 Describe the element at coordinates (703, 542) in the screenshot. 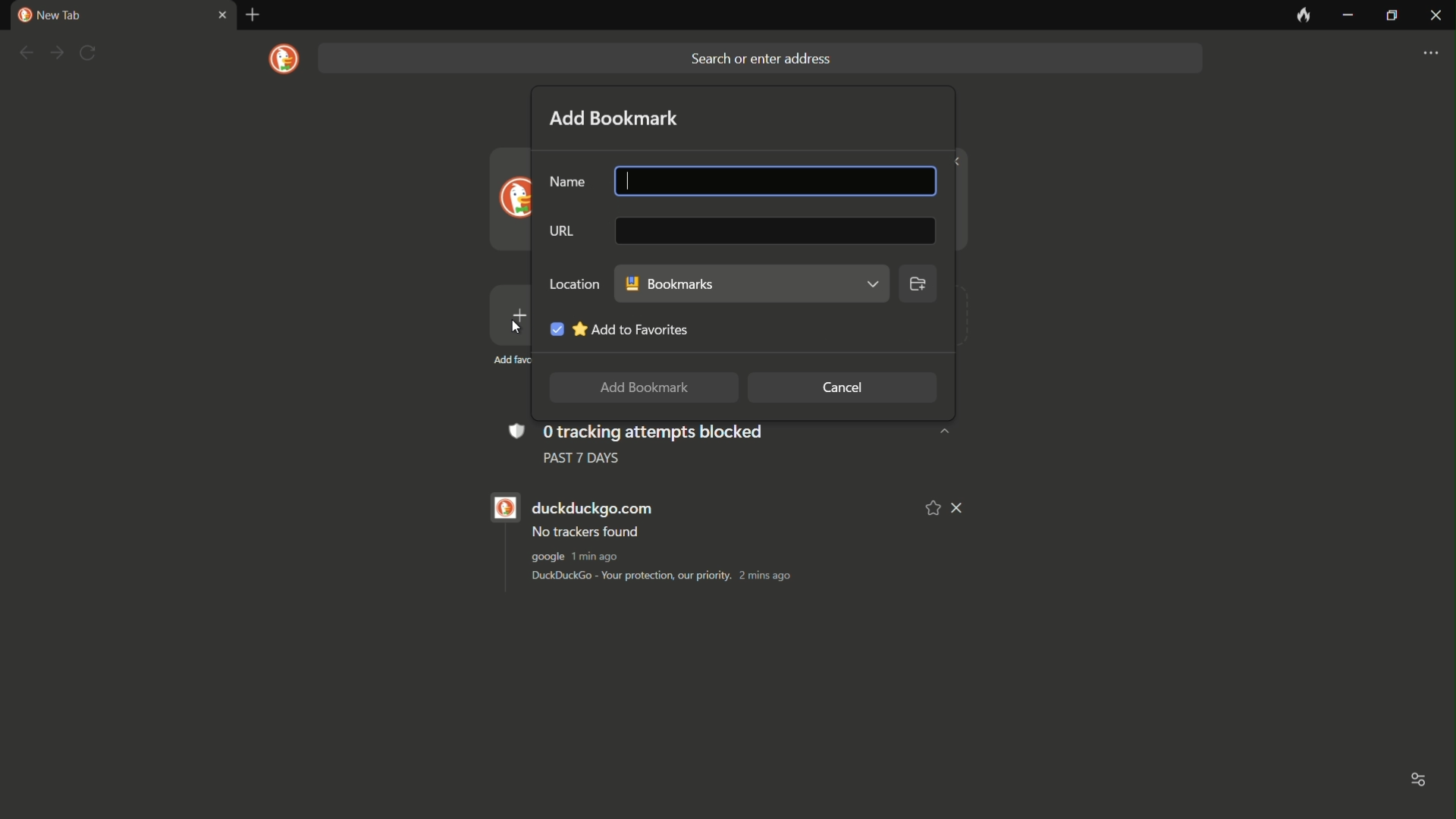

I see `duckduckgo.com

No trackers found

google 1min ago

DuckDuckGo - Your protection, our priority. 2 mins ago` at that location.